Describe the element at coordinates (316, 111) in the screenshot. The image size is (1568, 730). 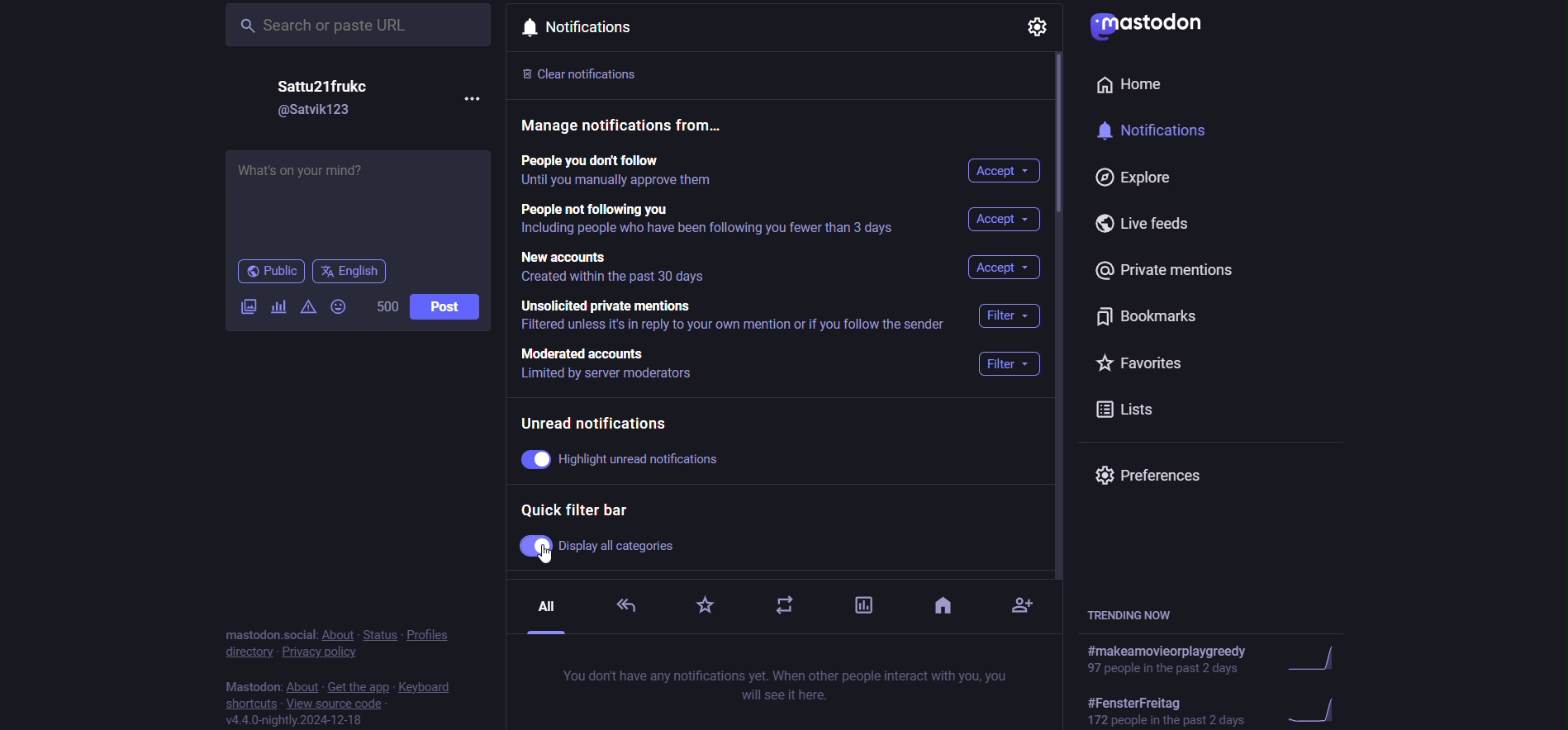
I see `@Satvik123` at that location.